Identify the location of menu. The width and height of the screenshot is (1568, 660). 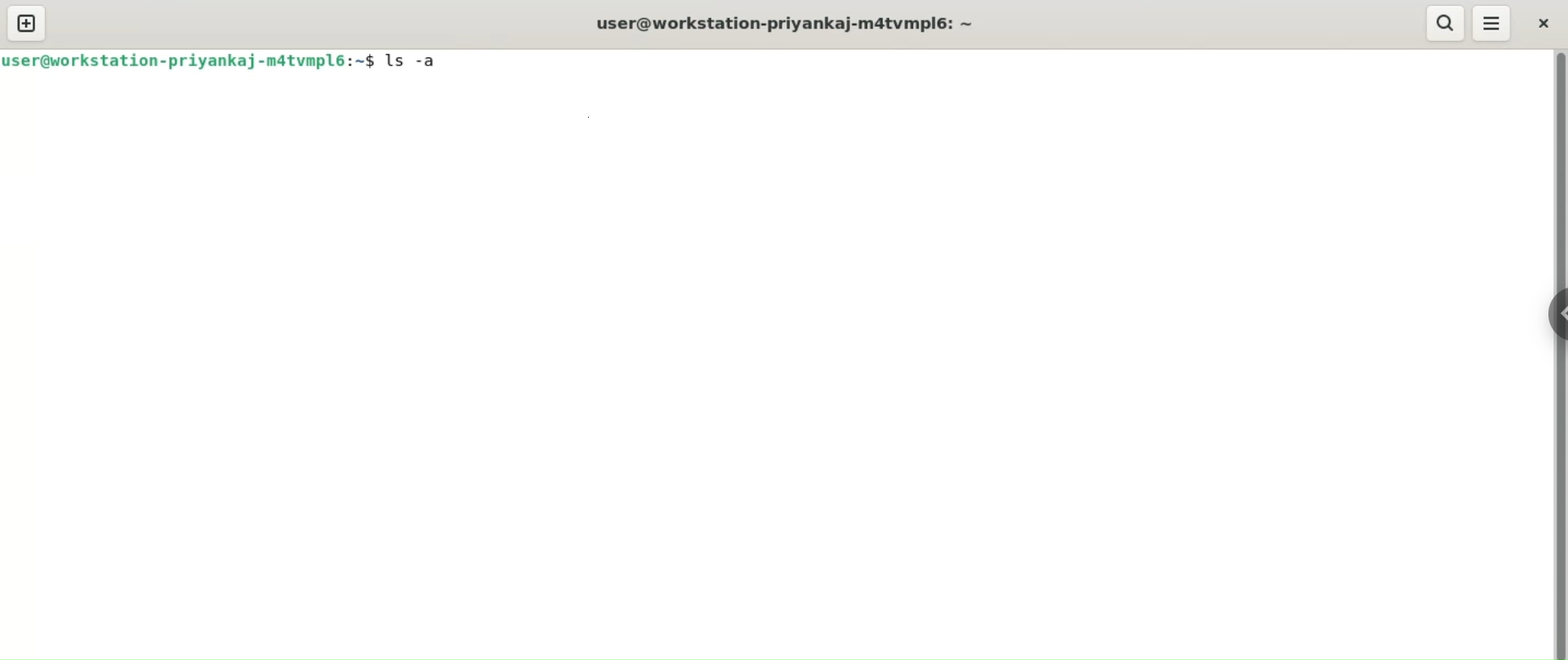
(1493, 24).